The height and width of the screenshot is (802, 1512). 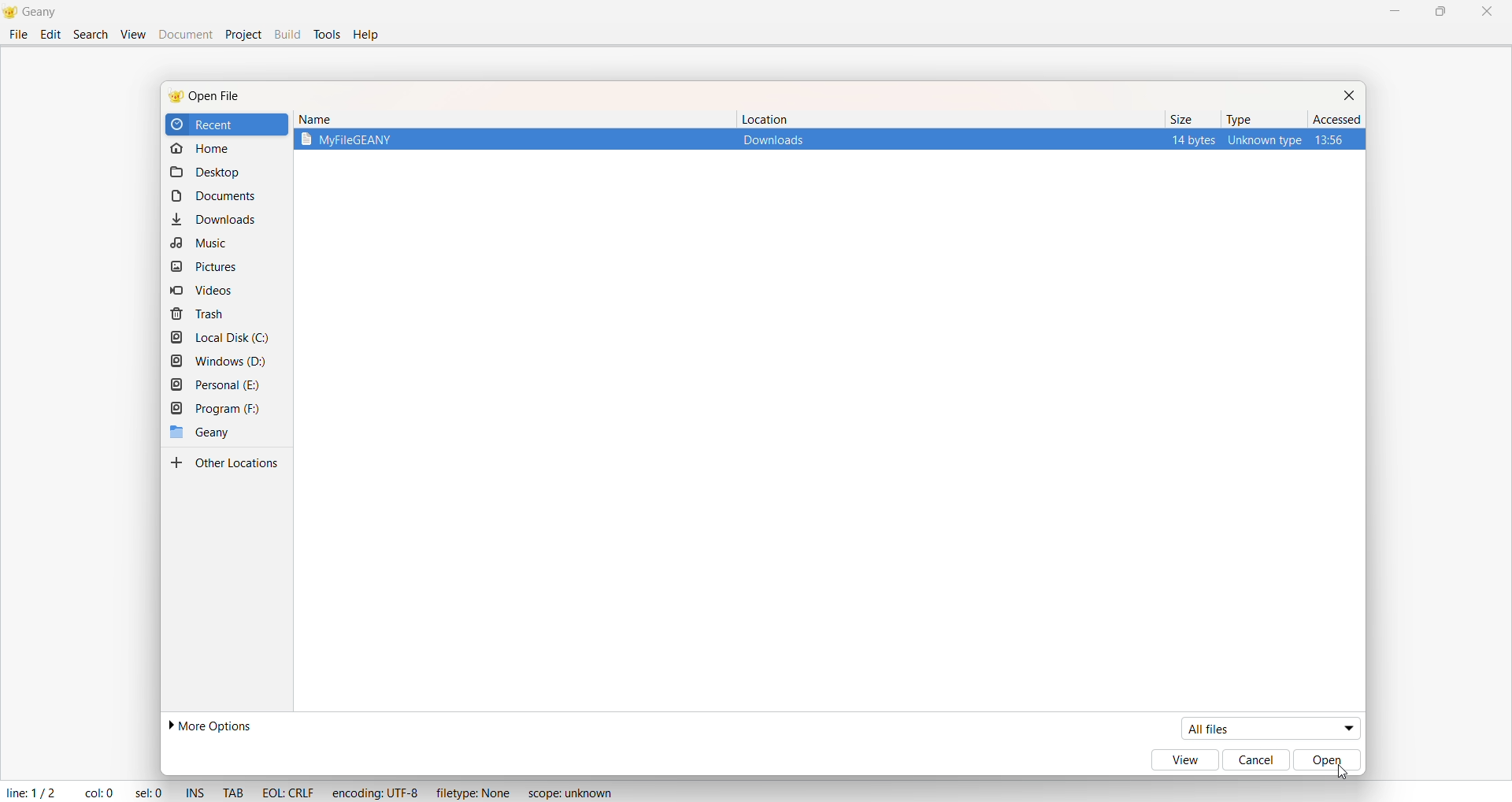 I want to click on Ecoding: UTF - 8, so click(x=375, y=790).